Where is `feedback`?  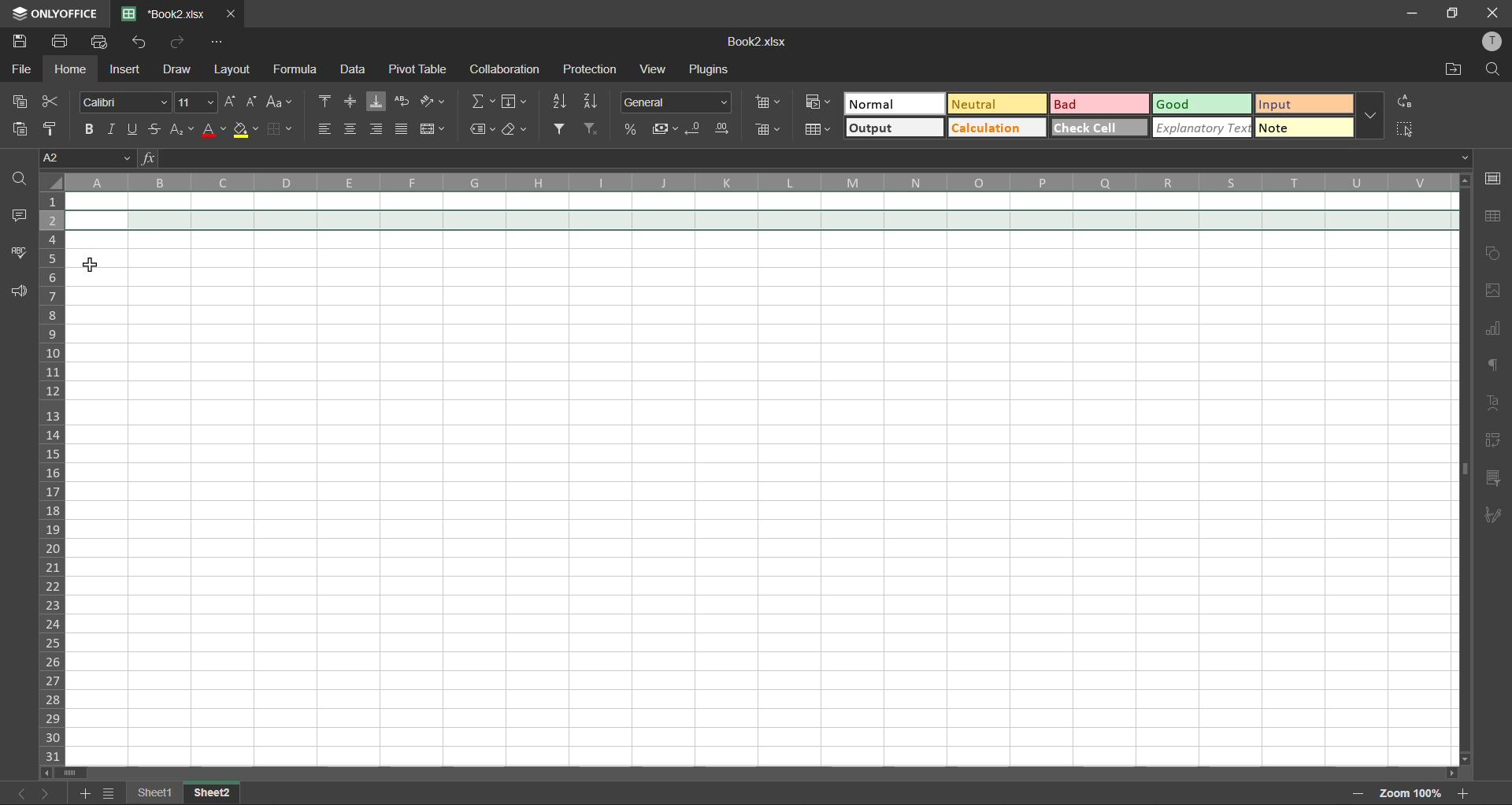 feedback is located at coordinates (20, 293).